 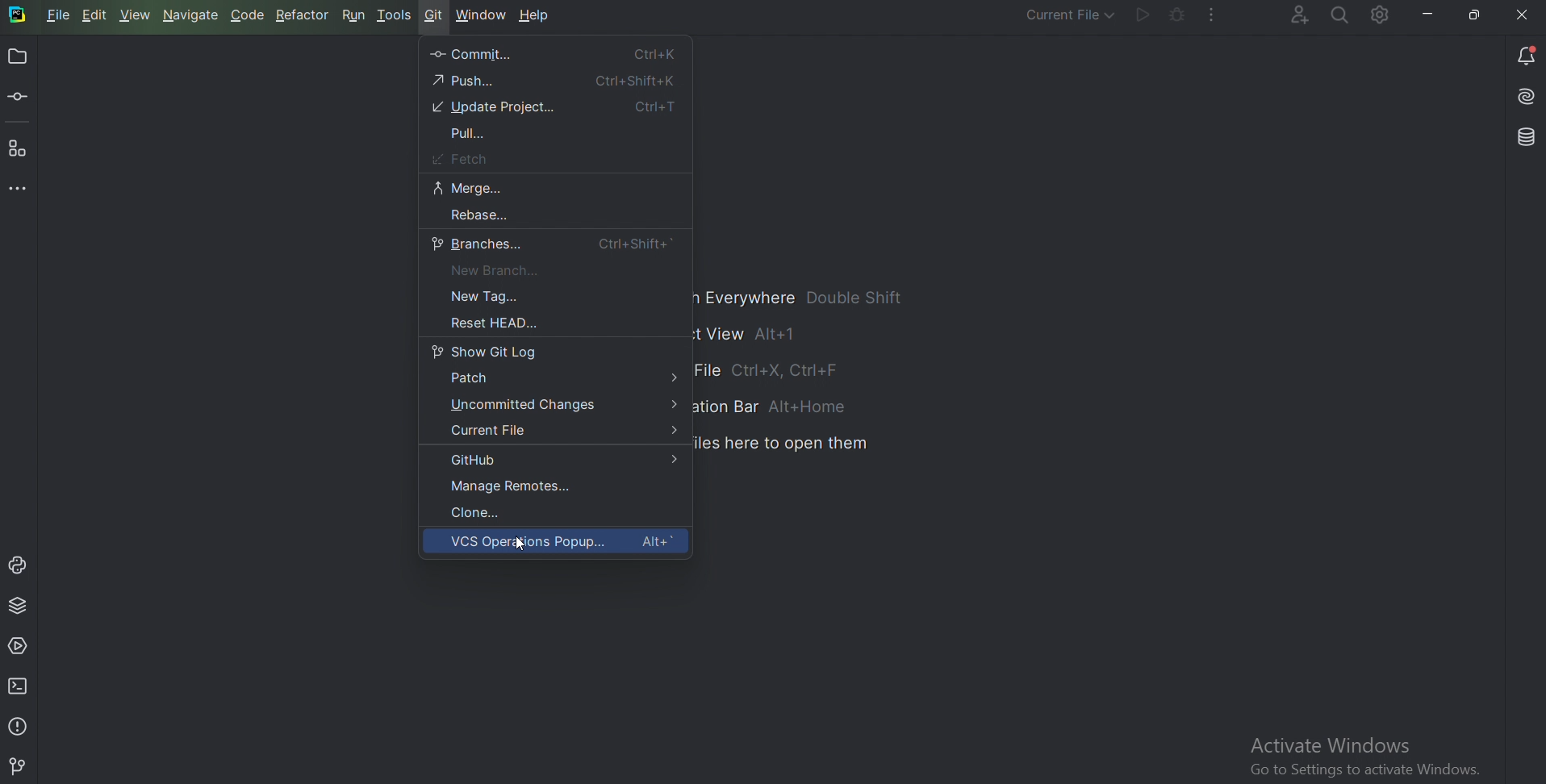 I want to click on Tools, so click(x=395, y=15).